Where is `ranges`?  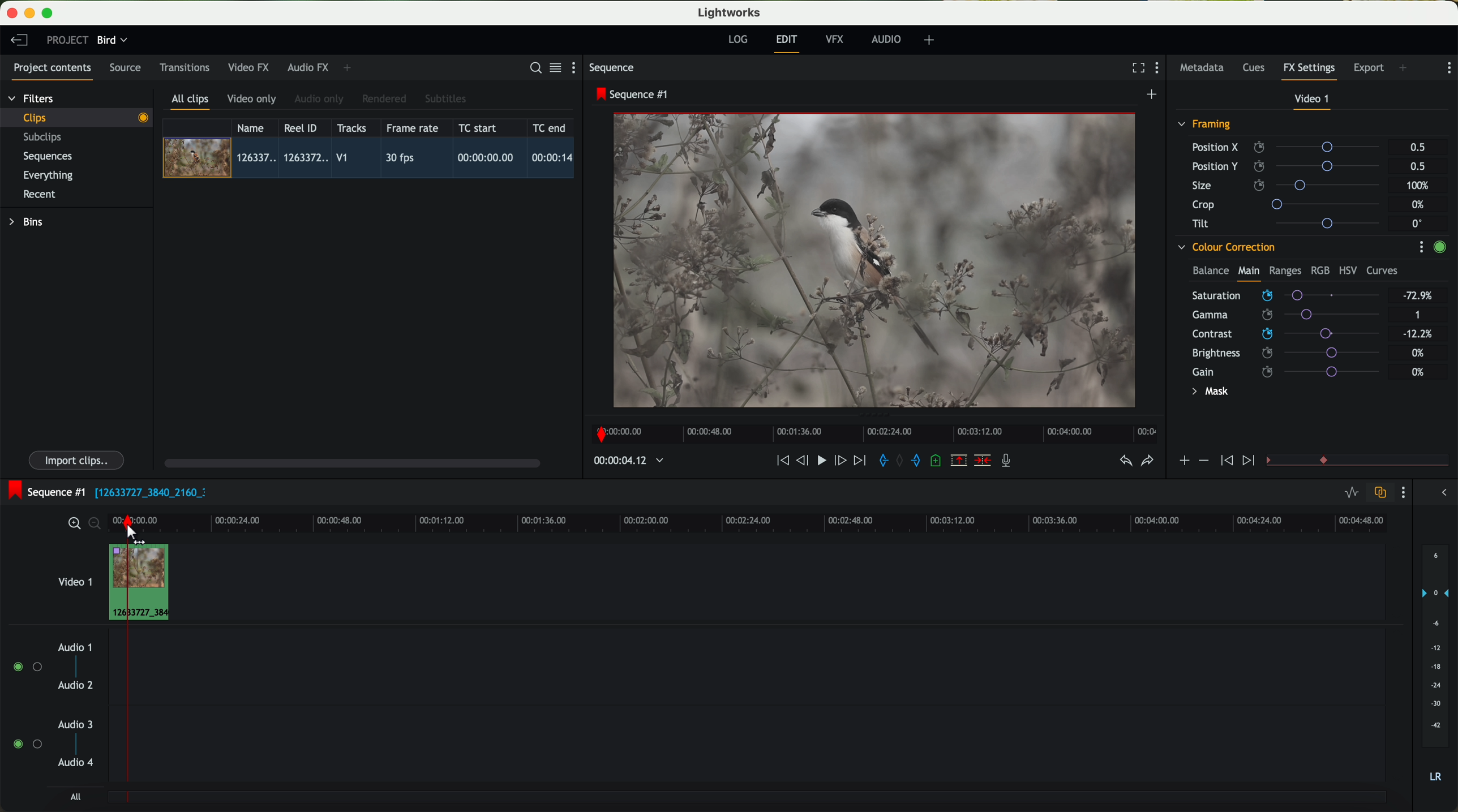
ranges is located at coordinates (1285, 270).